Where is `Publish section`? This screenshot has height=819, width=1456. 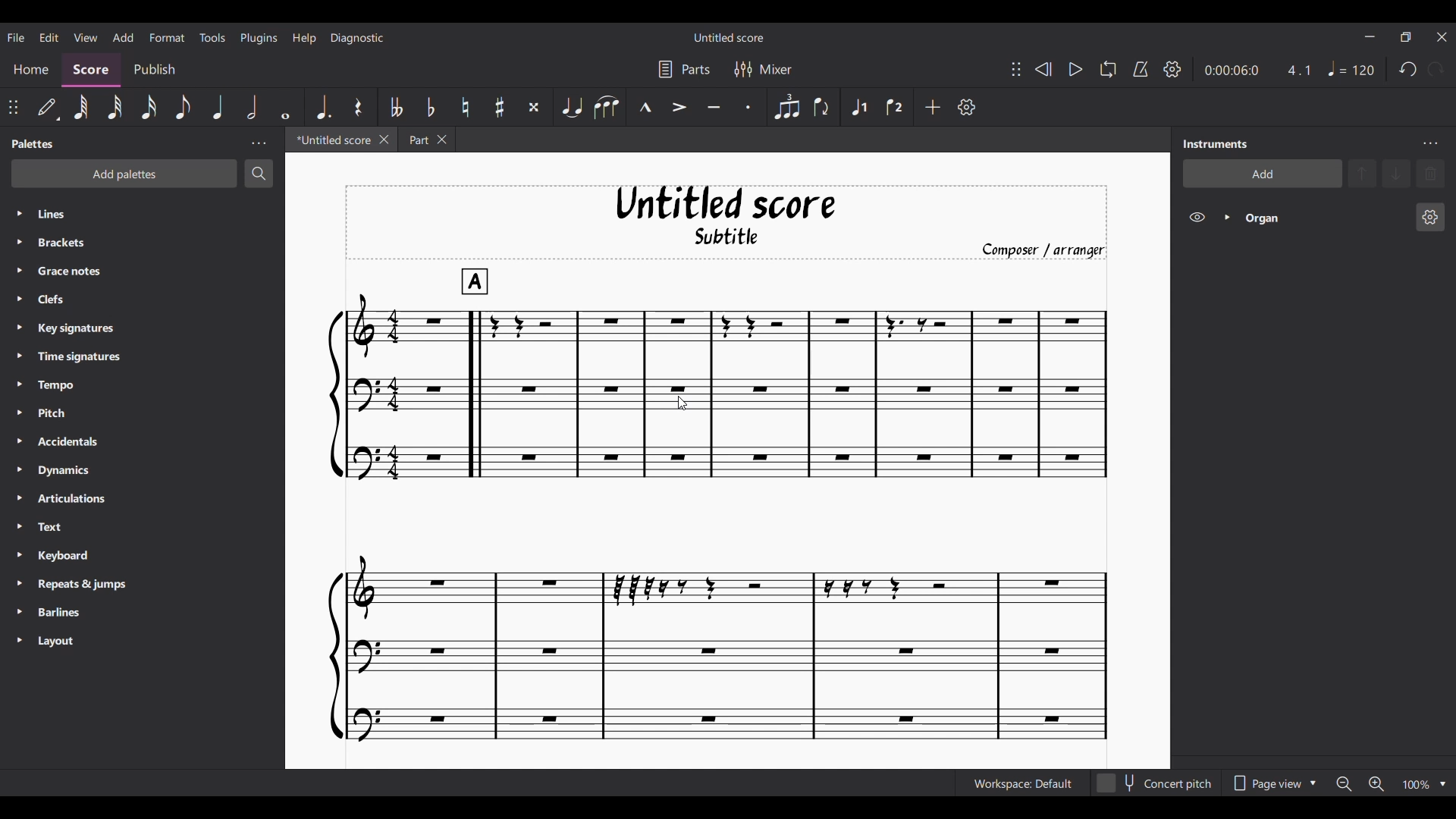
Publish section is located at coordinates (155, 70).